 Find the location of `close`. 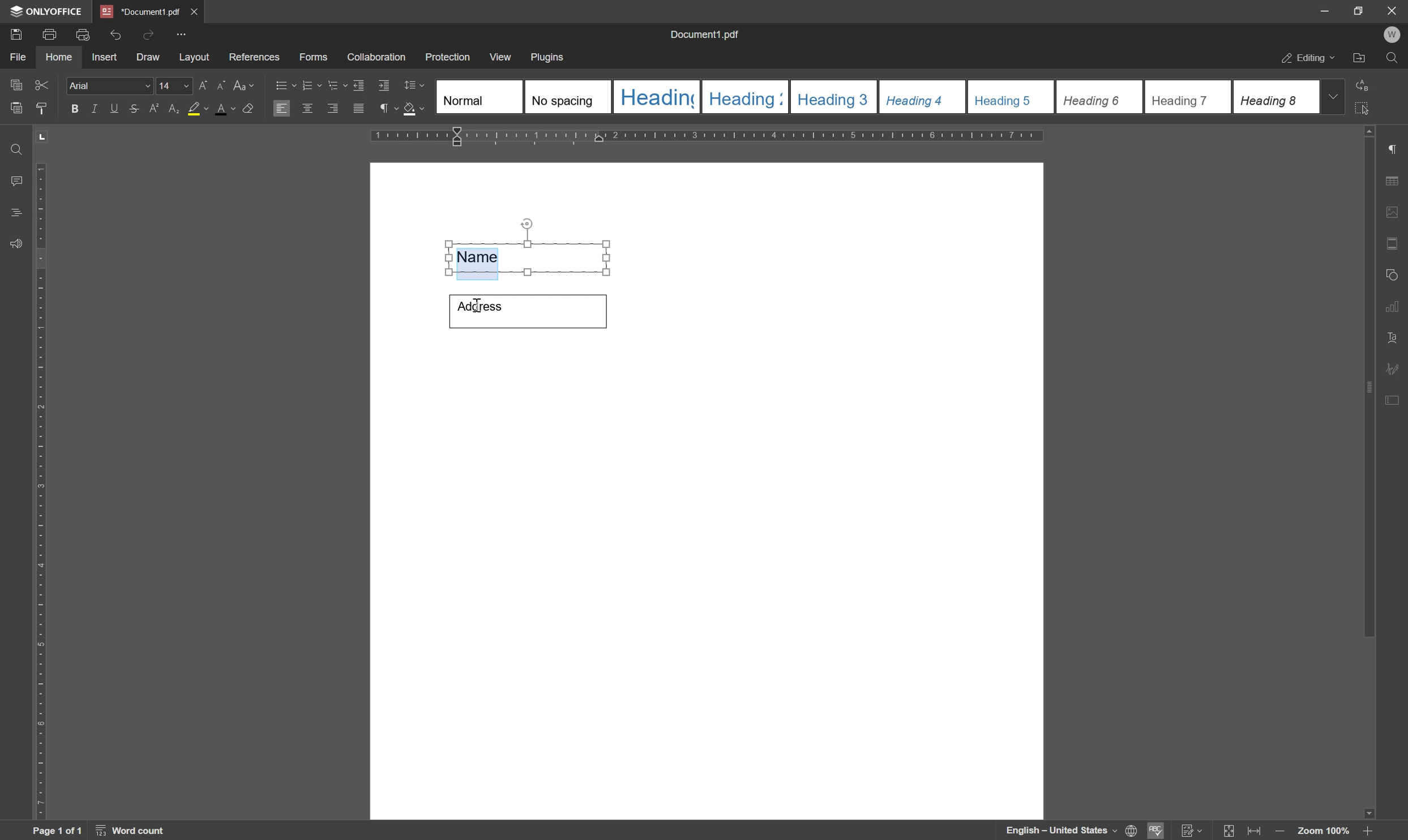

close is located at coordinates (1392, 10).